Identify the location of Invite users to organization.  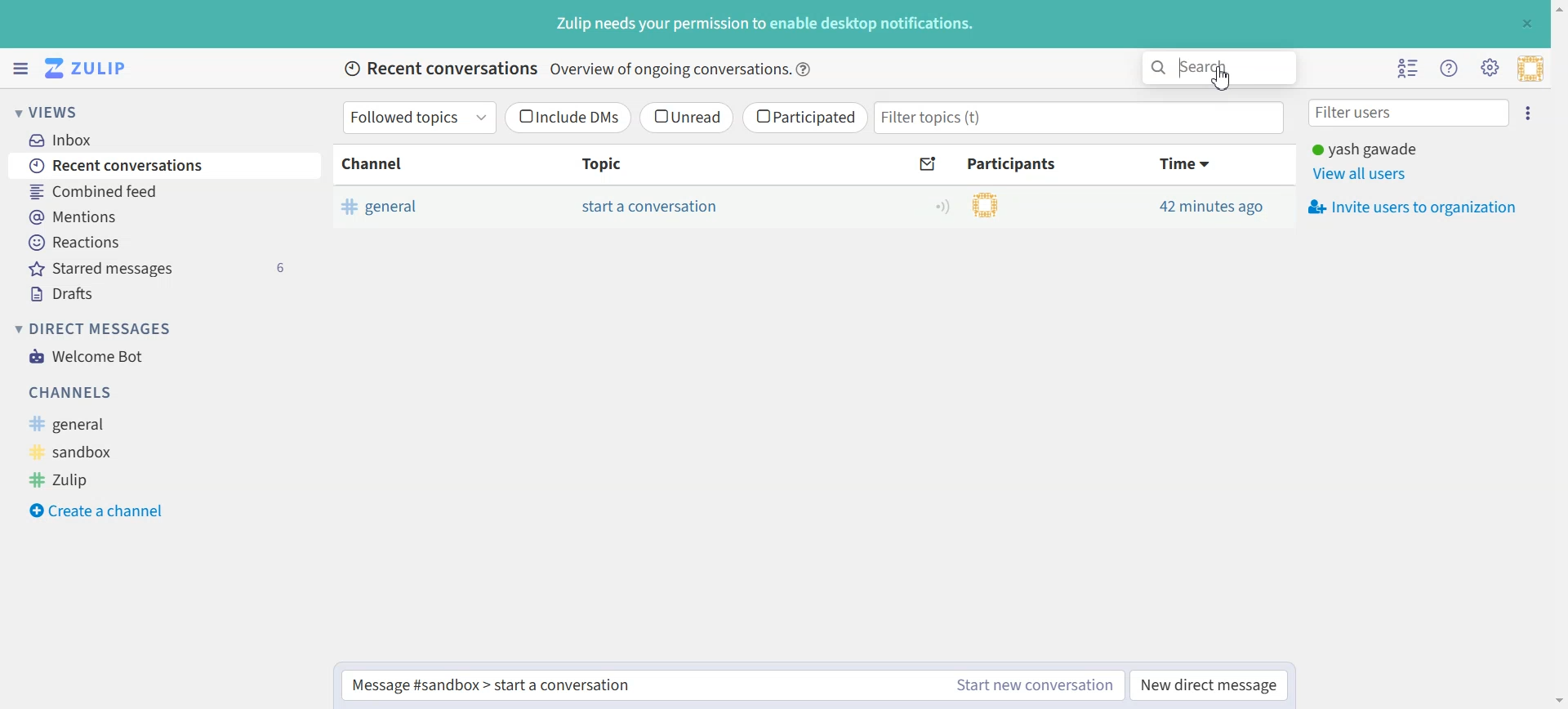
(1410, 207).